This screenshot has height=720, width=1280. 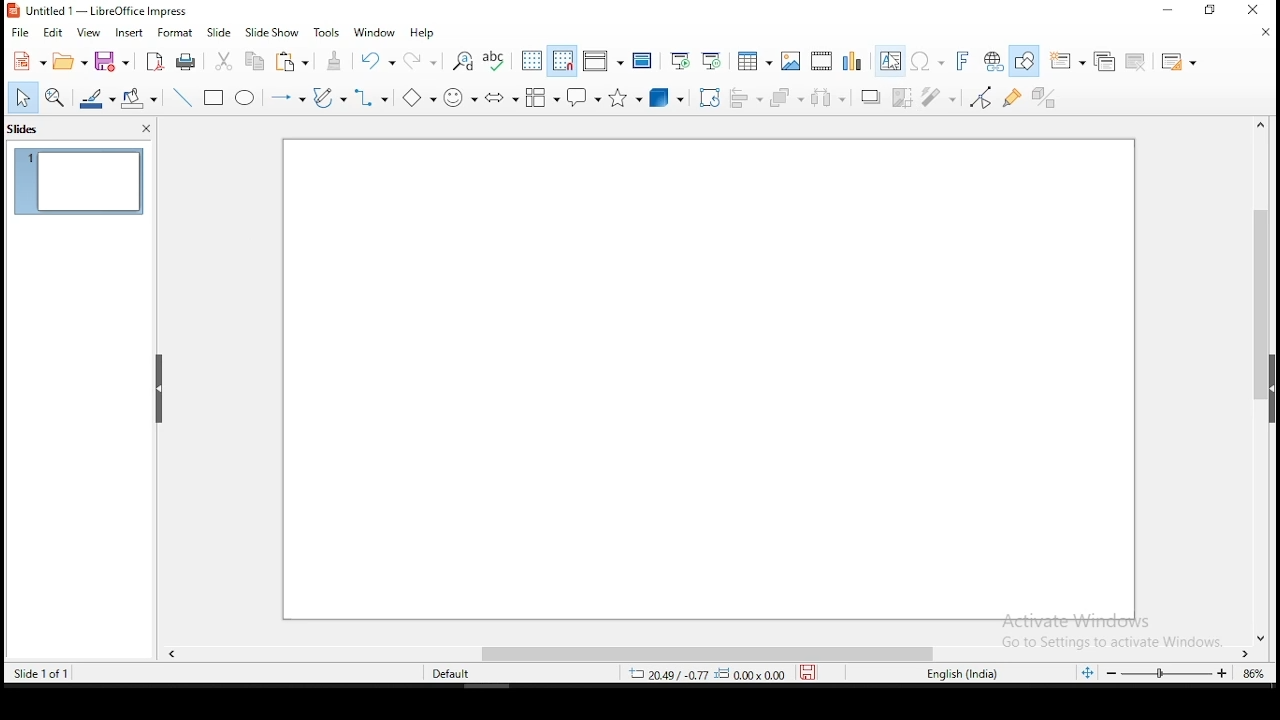 What do you see at coordinates (820, 62) in the screenshot?
I see `insert video` at bounding box center [820, 62].